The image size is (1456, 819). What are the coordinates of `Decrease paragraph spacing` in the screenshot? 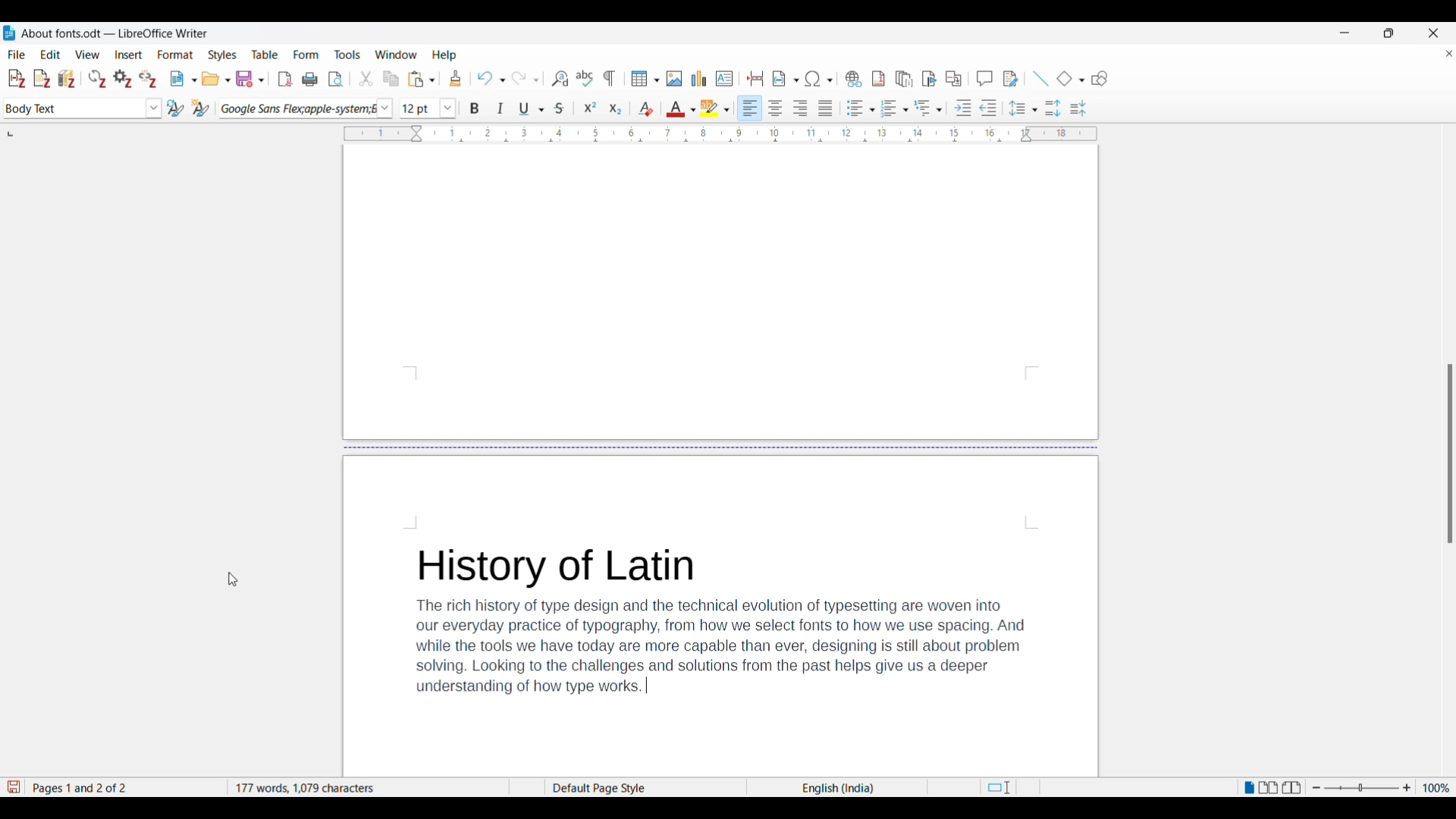 It's located at (1078, 108).